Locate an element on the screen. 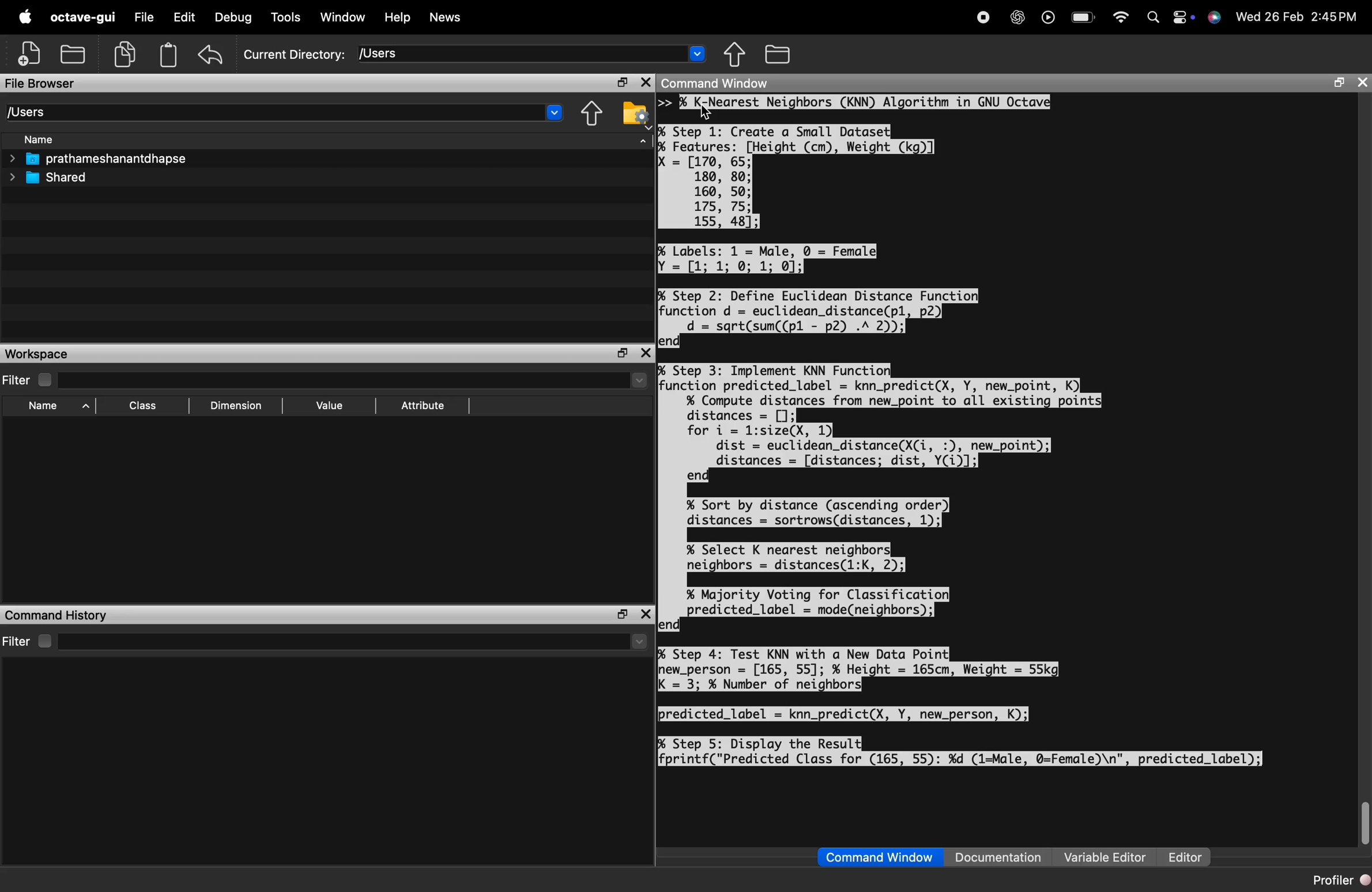 Image resolution: width=1372 pixels, height=892 pixels. Workspace is located at coordinates (36, 353).